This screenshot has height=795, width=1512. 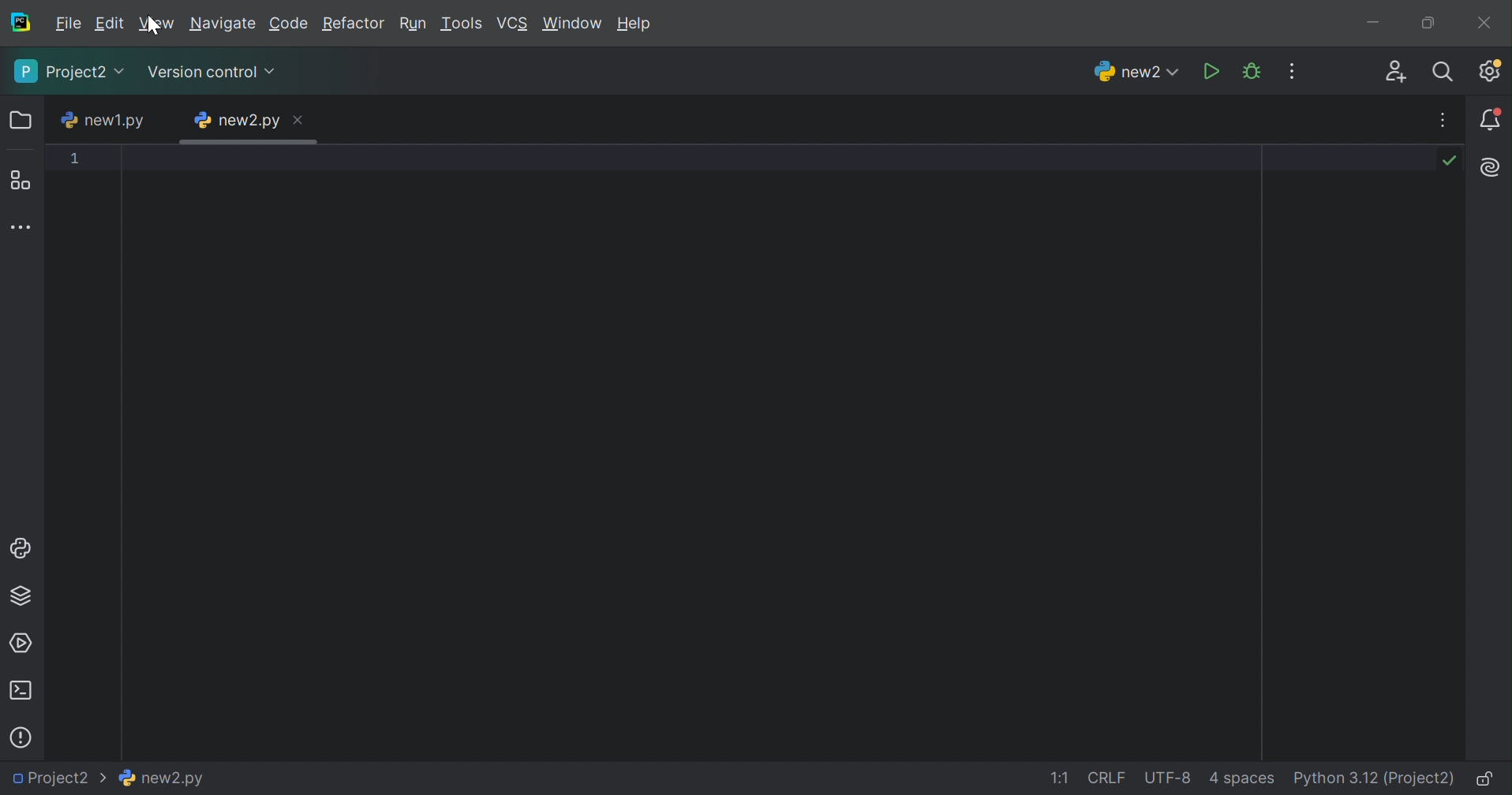 I want to click on Debug, so click(x=1254, y=71).